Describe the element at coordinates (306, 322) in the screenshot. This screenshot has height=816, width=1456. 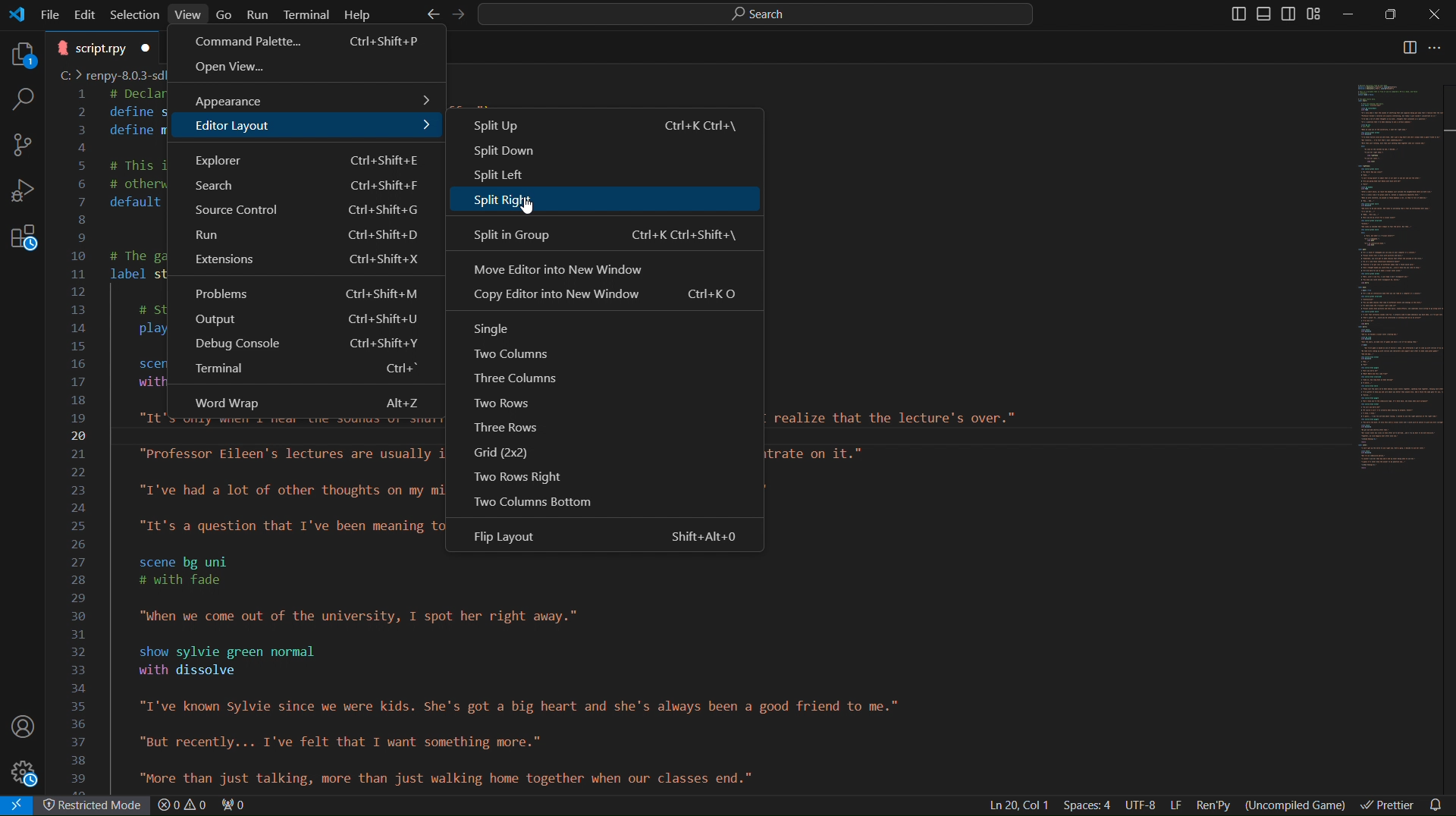
I see `Output   ctrl+shift+U` at that location.